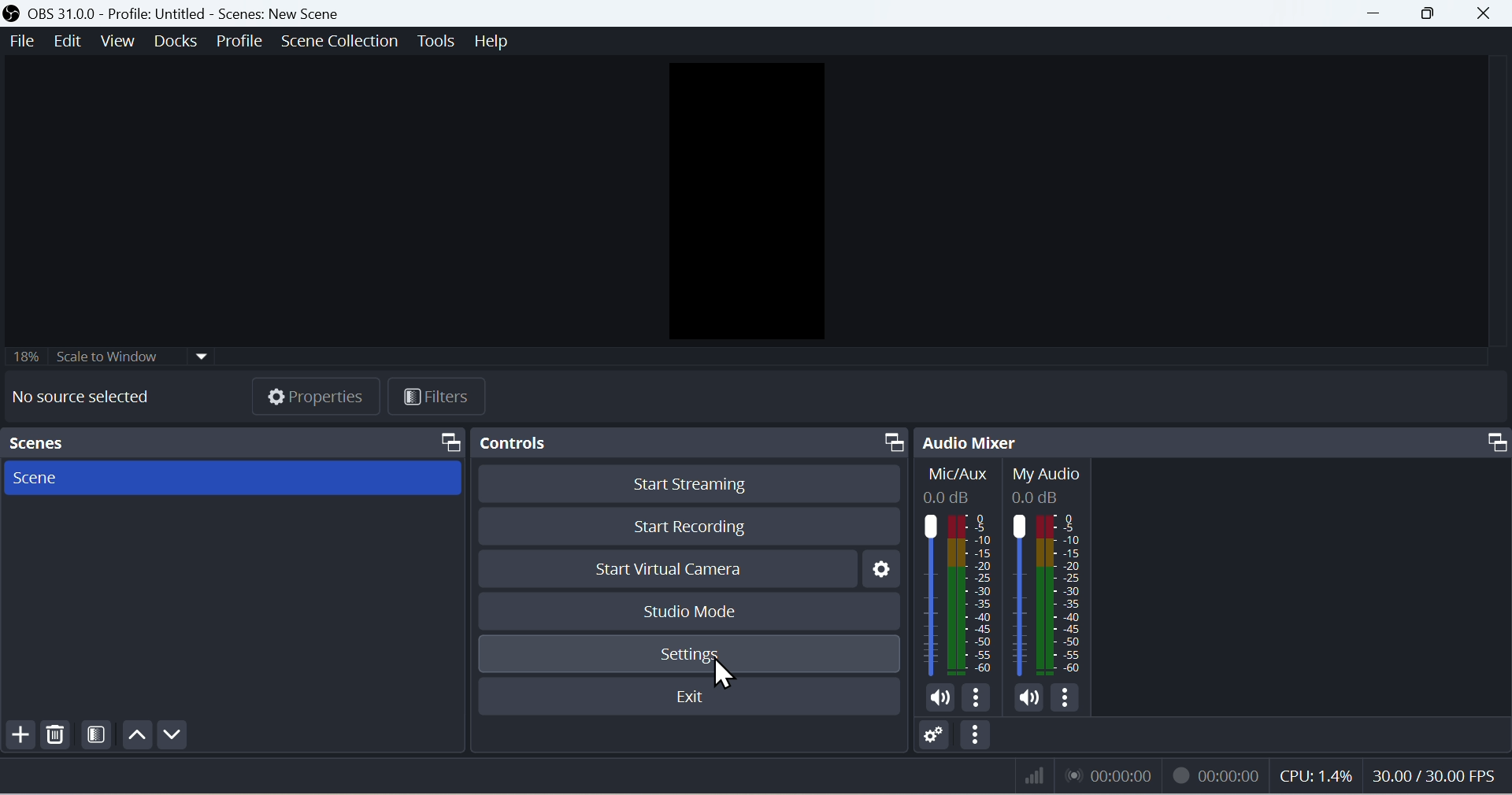 Image resolution: width=1512 pixels, height=795 pixels. Describe the element at coordinates (1046, 582) in the screenshot. I see `MyAudio bar` at that location.